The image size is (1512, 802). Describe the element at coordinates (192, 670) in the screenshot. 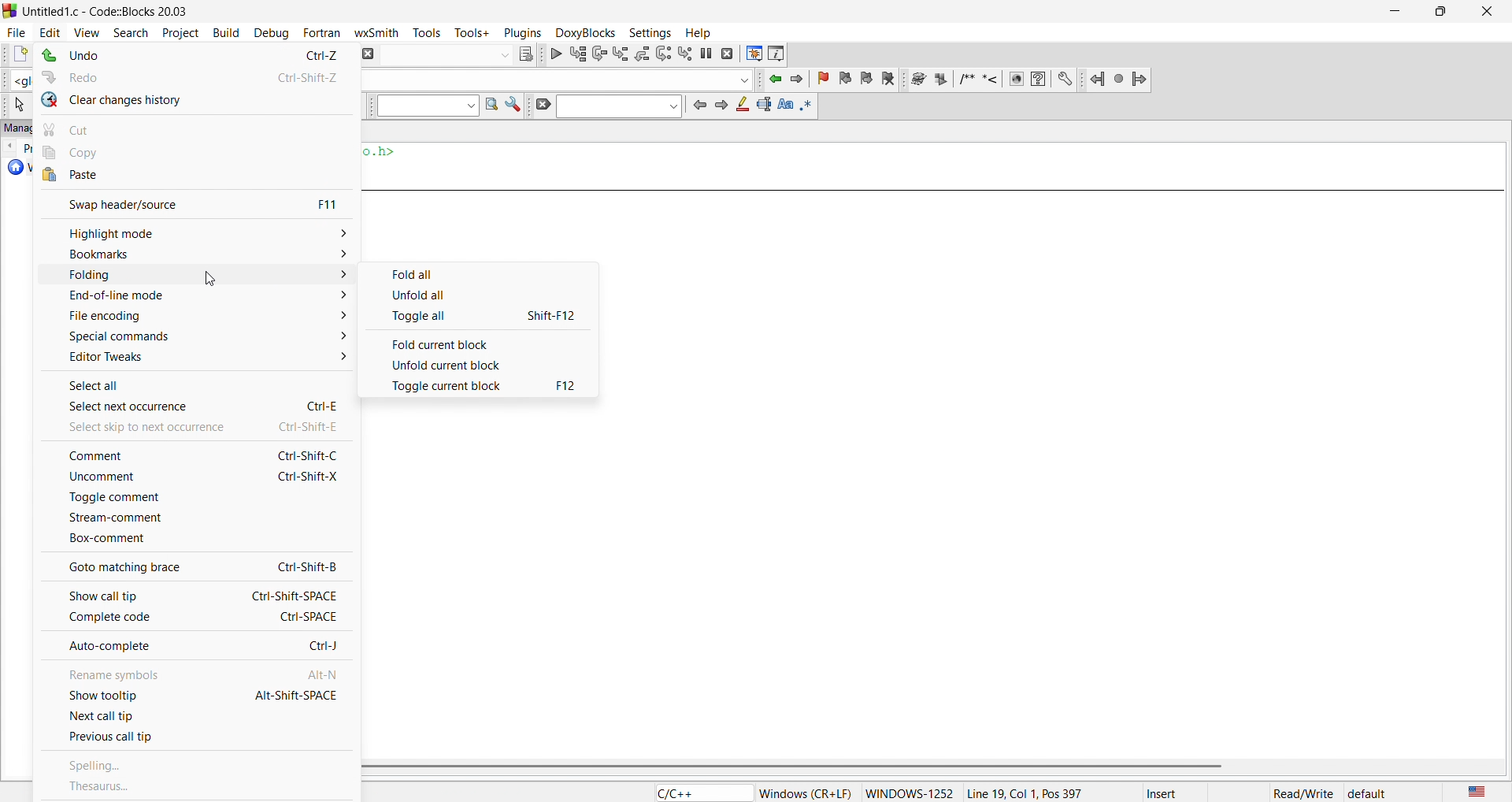

I see `rename symbols` at that location.